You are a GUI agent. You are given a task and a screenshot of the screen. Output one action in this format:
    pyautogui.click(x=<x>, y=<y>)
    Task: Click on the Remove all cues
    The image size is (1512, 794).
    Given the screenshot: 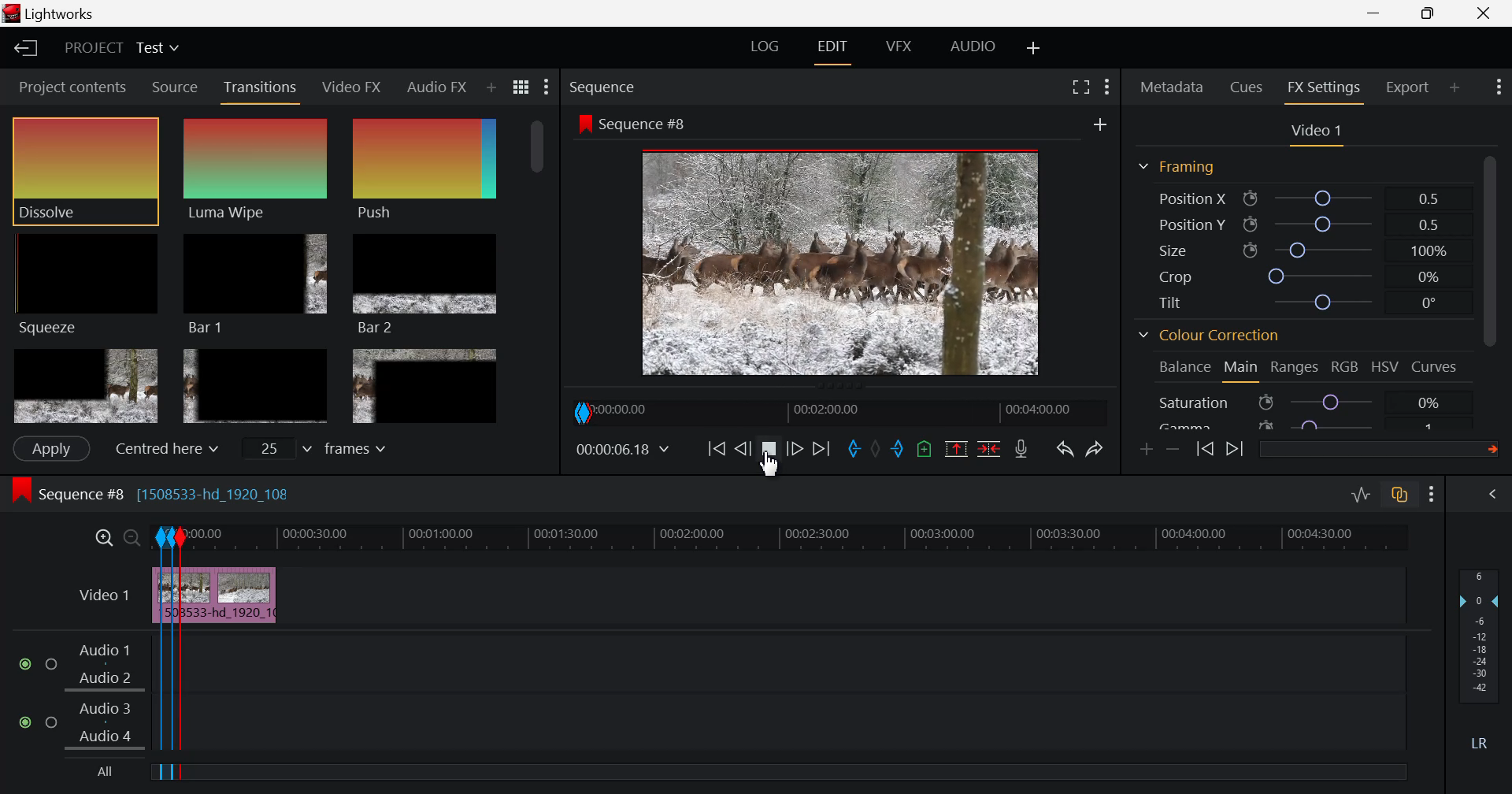 What is the action you would take?
    pyautogui.click(x=922, y=448)
    